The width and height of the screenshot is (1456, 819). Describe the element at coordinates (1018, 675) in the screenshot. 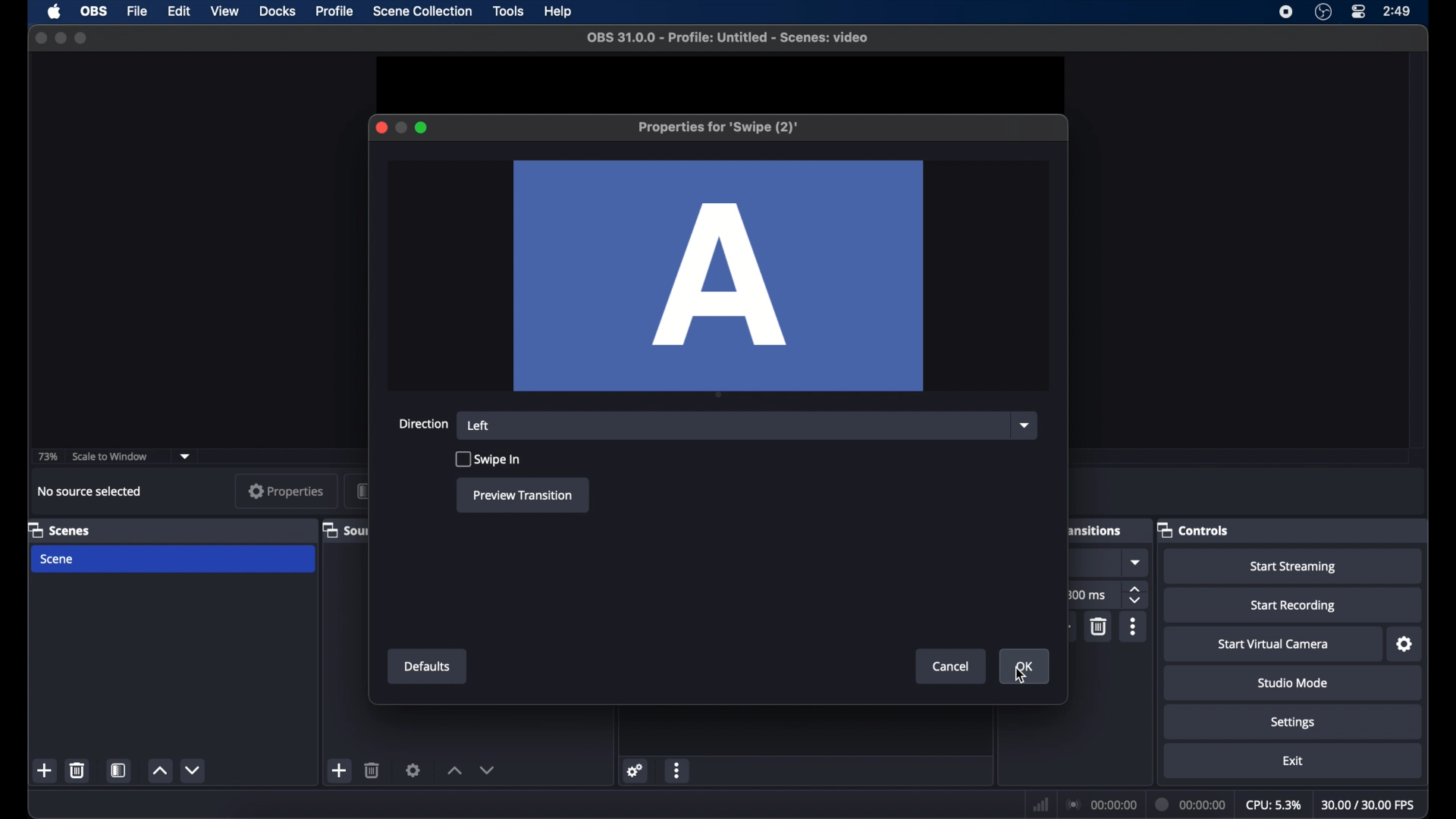

I see `cursor` at that location.